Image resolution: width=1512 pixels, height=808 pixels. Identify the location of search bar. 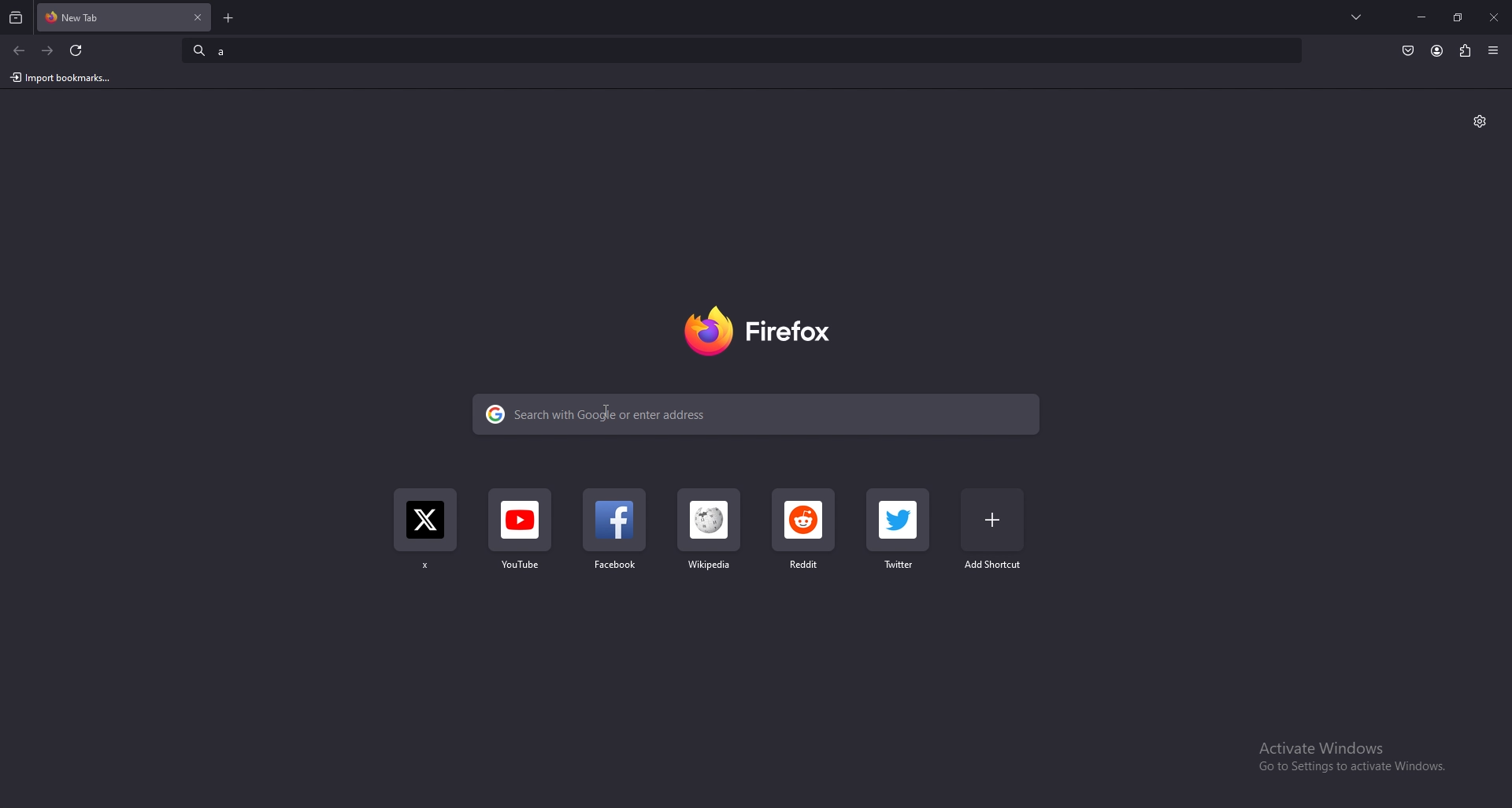
(743, 49).